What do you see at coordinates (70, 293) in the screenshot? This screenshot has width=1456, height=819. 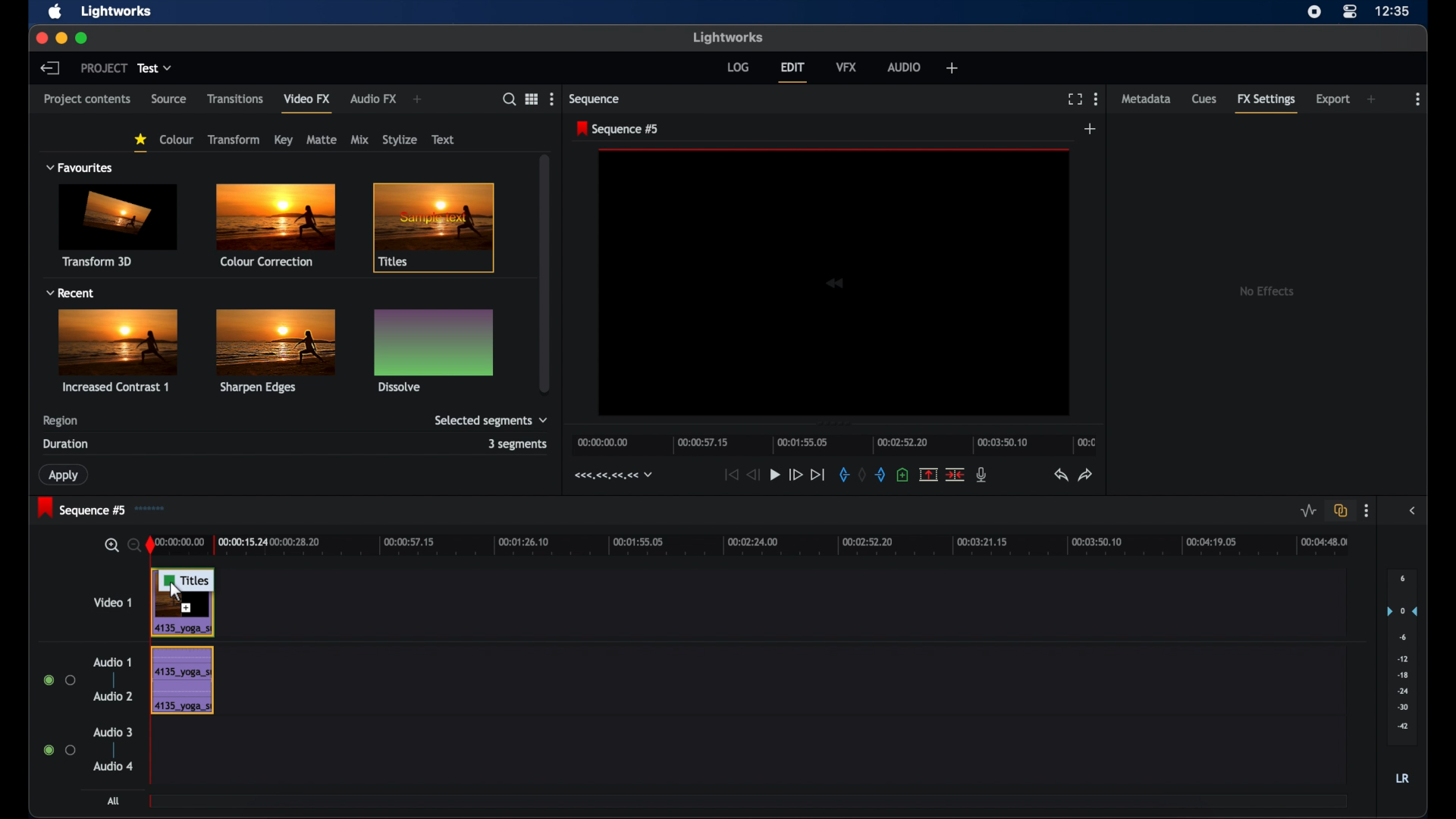 I see `recent` at bounding box center [70, 293].